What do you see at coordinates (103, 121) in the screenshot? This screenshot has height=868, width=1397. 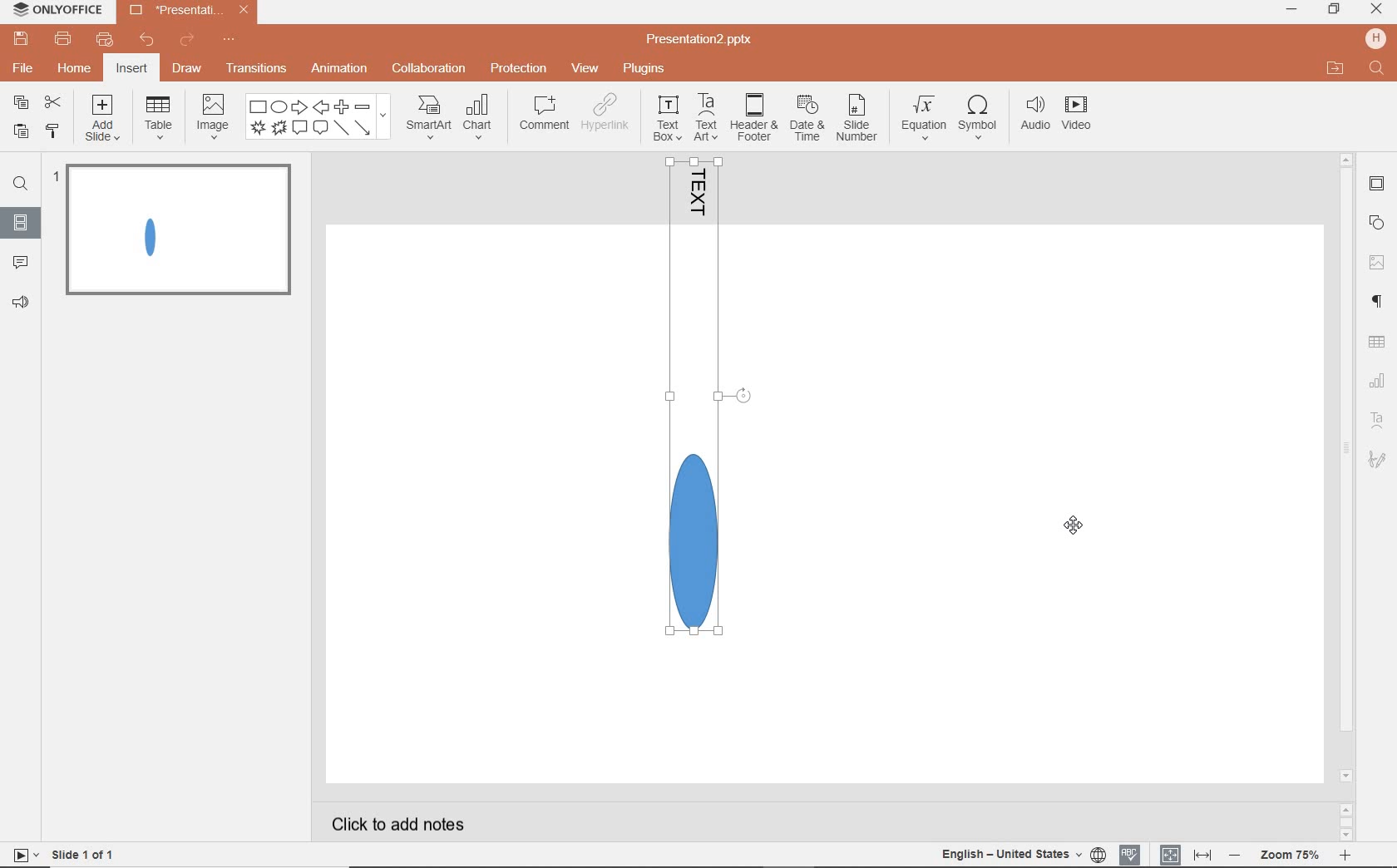 I see `add slide` at bounding box center [103, 121].